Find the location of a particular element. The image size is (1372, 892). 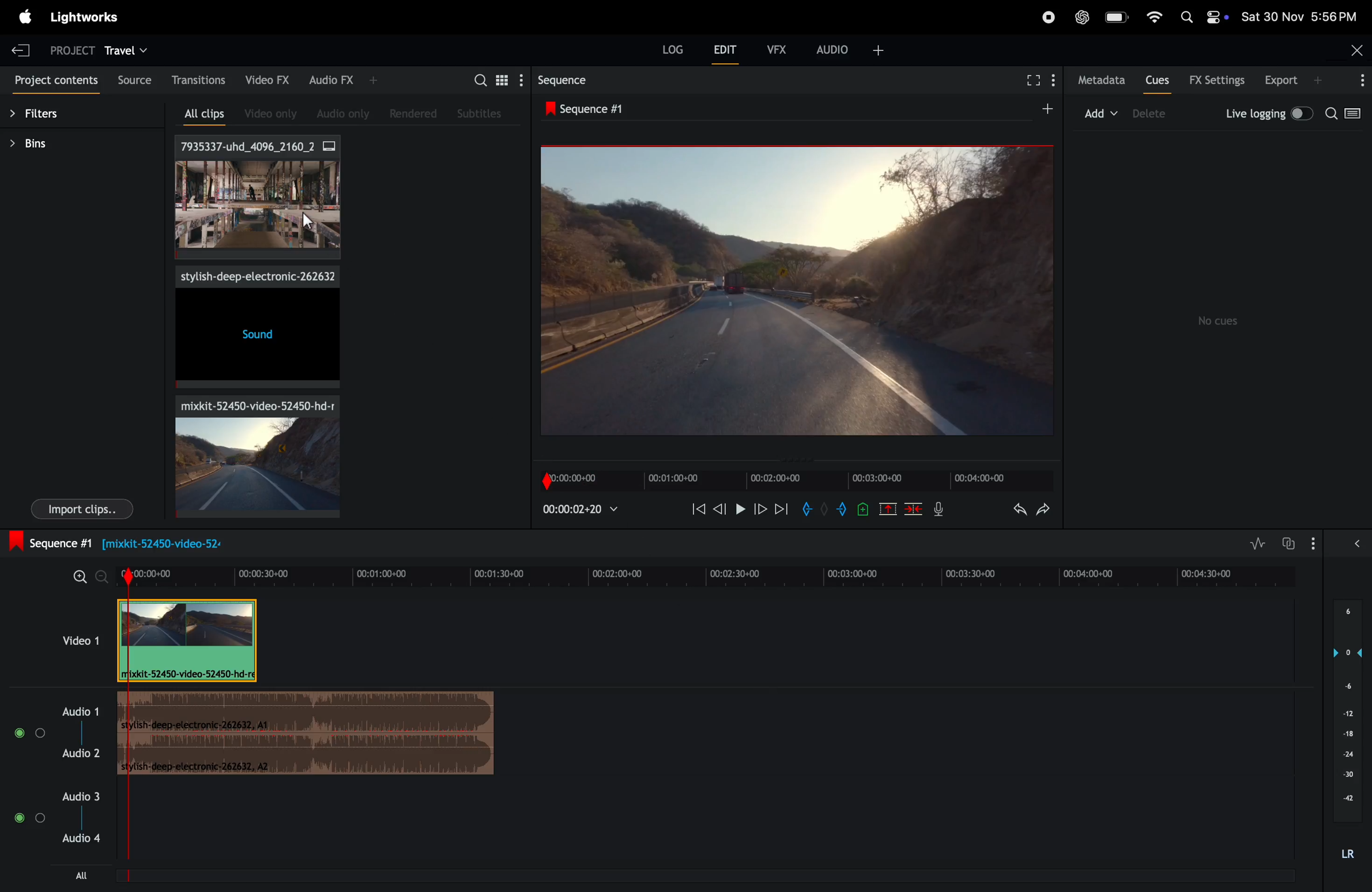

timeframe is located at coordinates (789, 476).